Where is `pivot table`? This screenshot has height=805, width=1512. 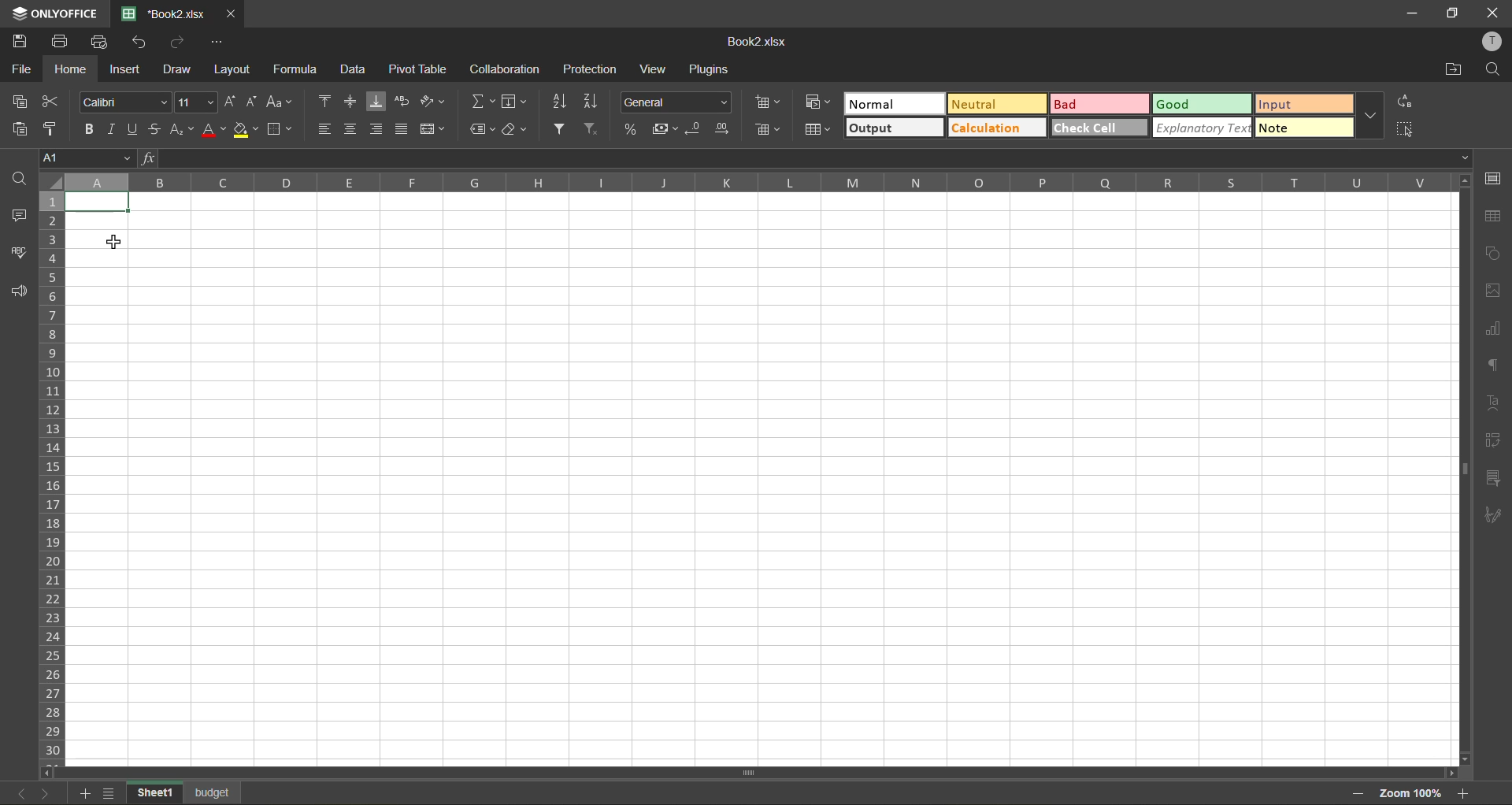 pivot table is located at coordinates (1493, 441).